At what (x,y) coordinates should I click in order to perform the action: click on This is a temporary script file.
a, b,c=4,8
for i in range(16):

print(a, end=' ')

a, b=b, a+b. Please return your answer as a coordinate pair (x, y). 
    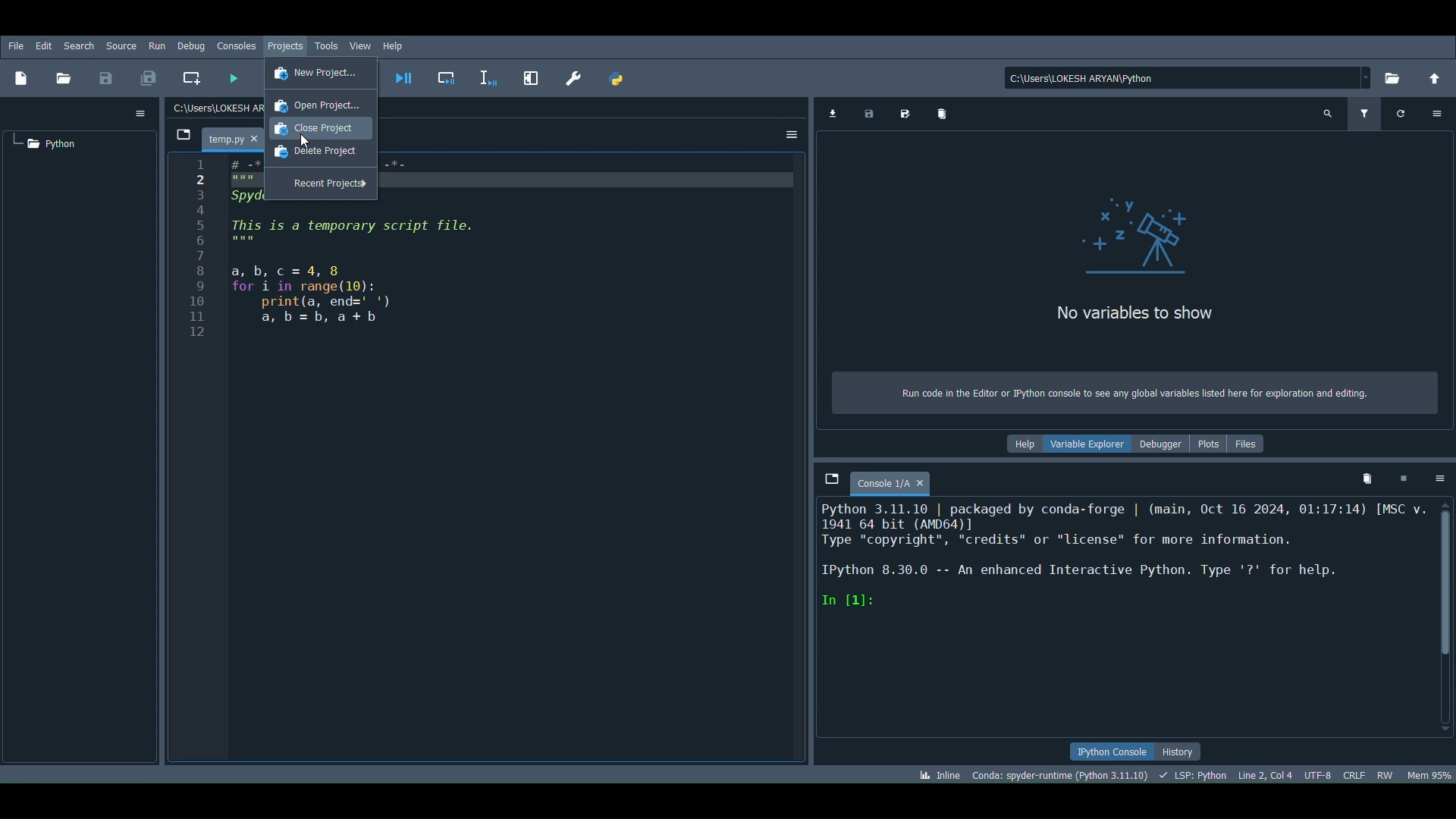
    Looking at the image, I should click on (359, 275).